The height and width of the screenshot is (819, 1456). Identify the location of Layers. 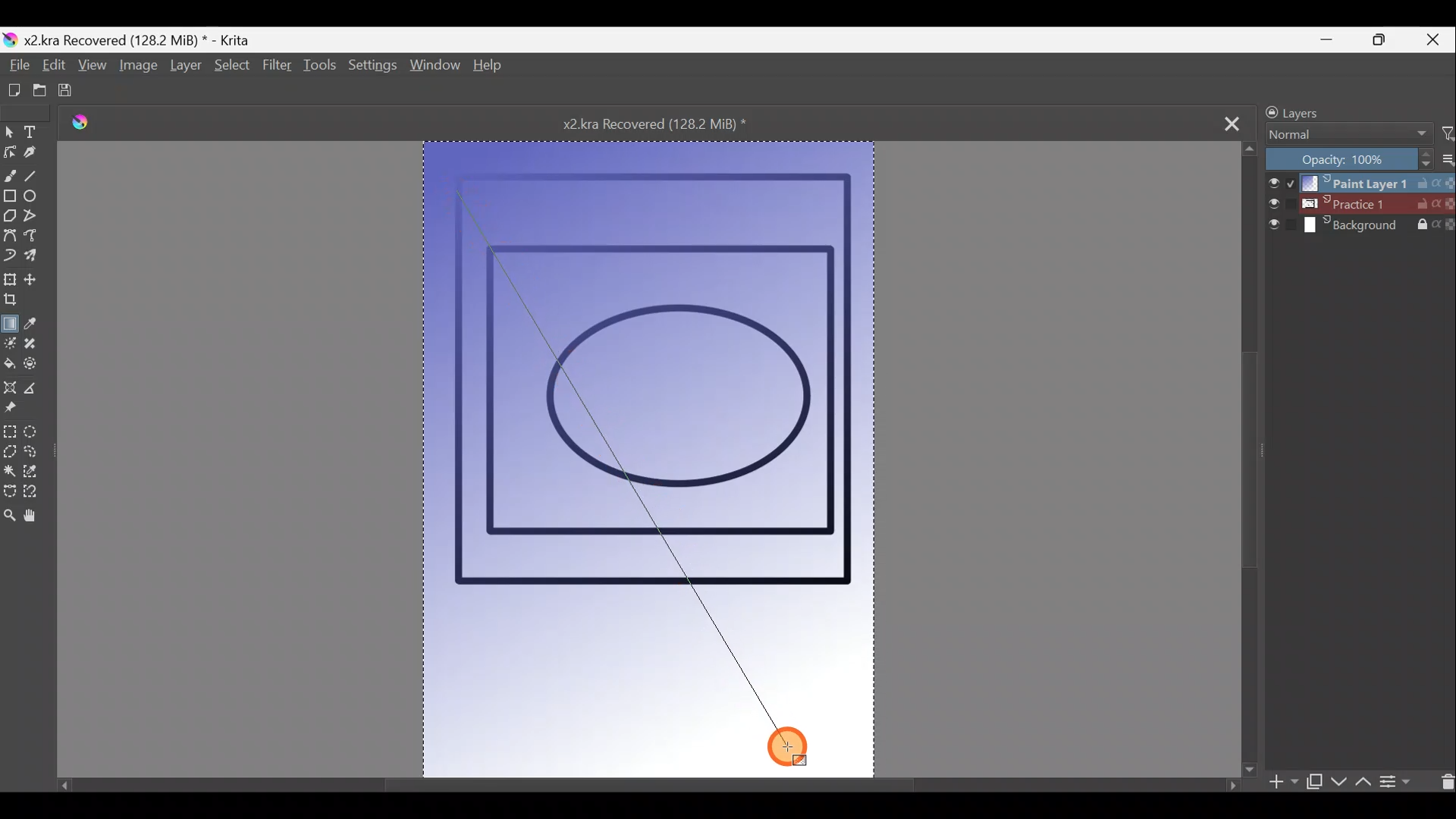
(1332, 110).